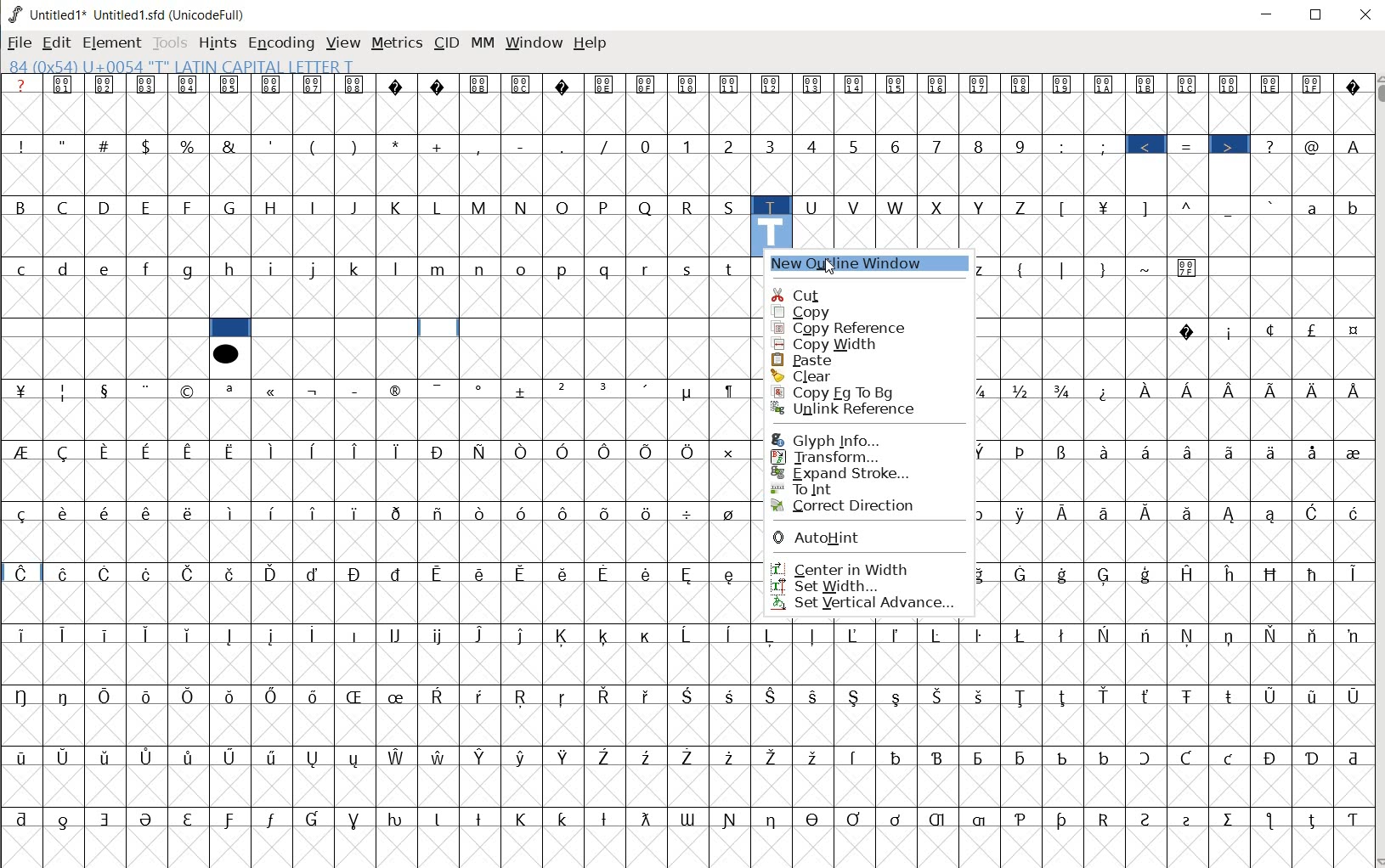 The width and height of the screenshot is (1385, 868). I want to click on (, so click(314, 145).